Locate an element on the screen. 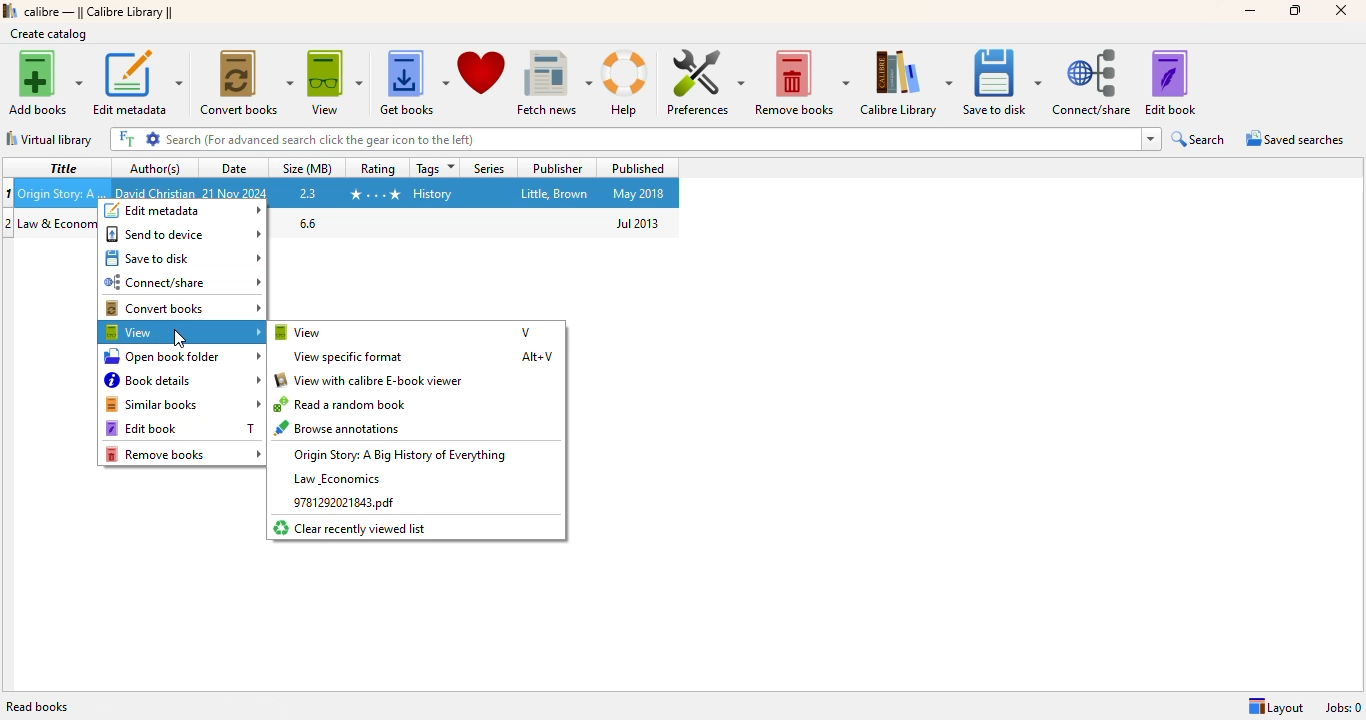 The image size is (1366, 720). donate to support calibre is located at coordinates (482, 73).